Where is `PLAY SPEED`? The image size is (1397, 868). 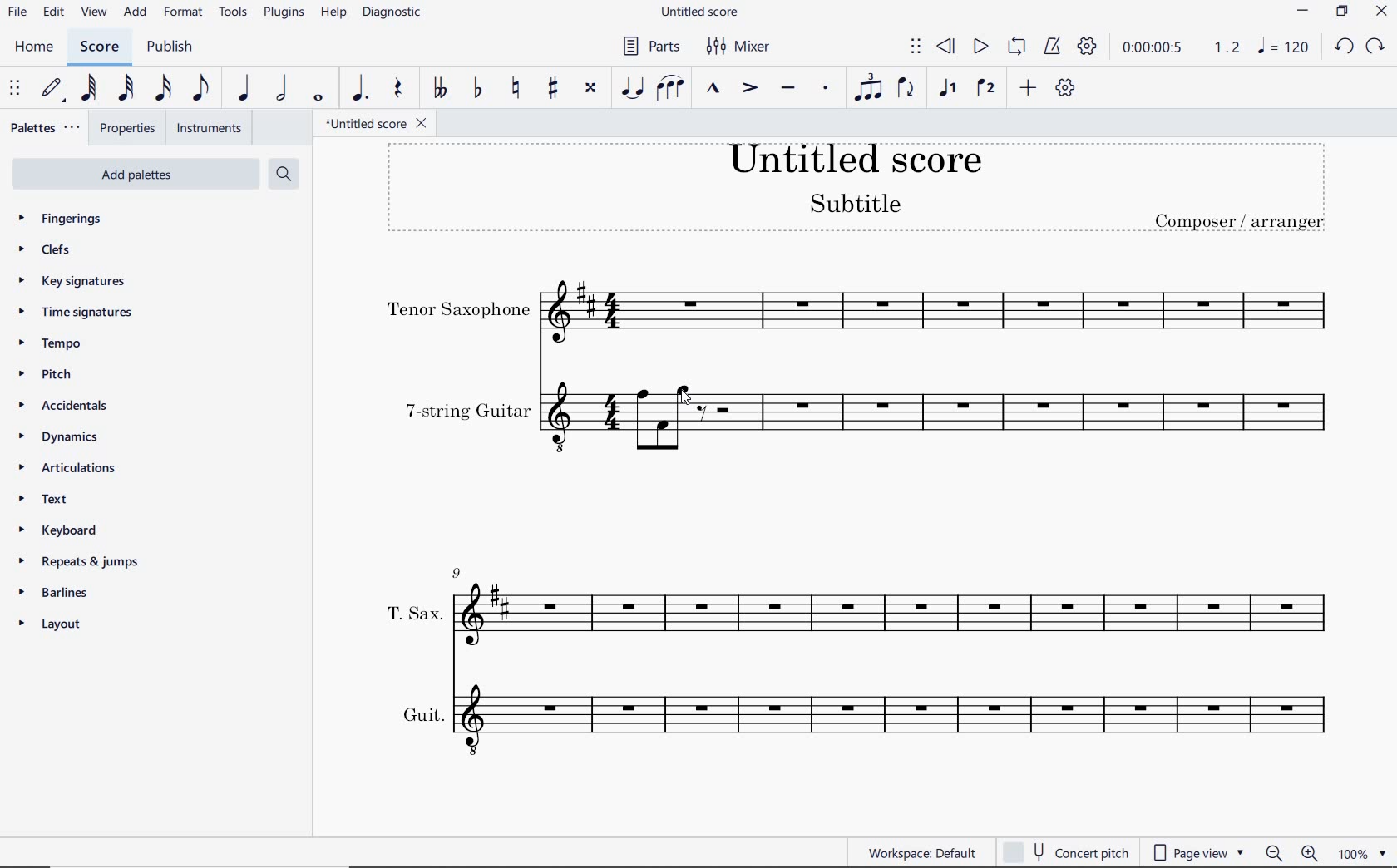 PLAY SPEED is located at coordinates (1181, 47).